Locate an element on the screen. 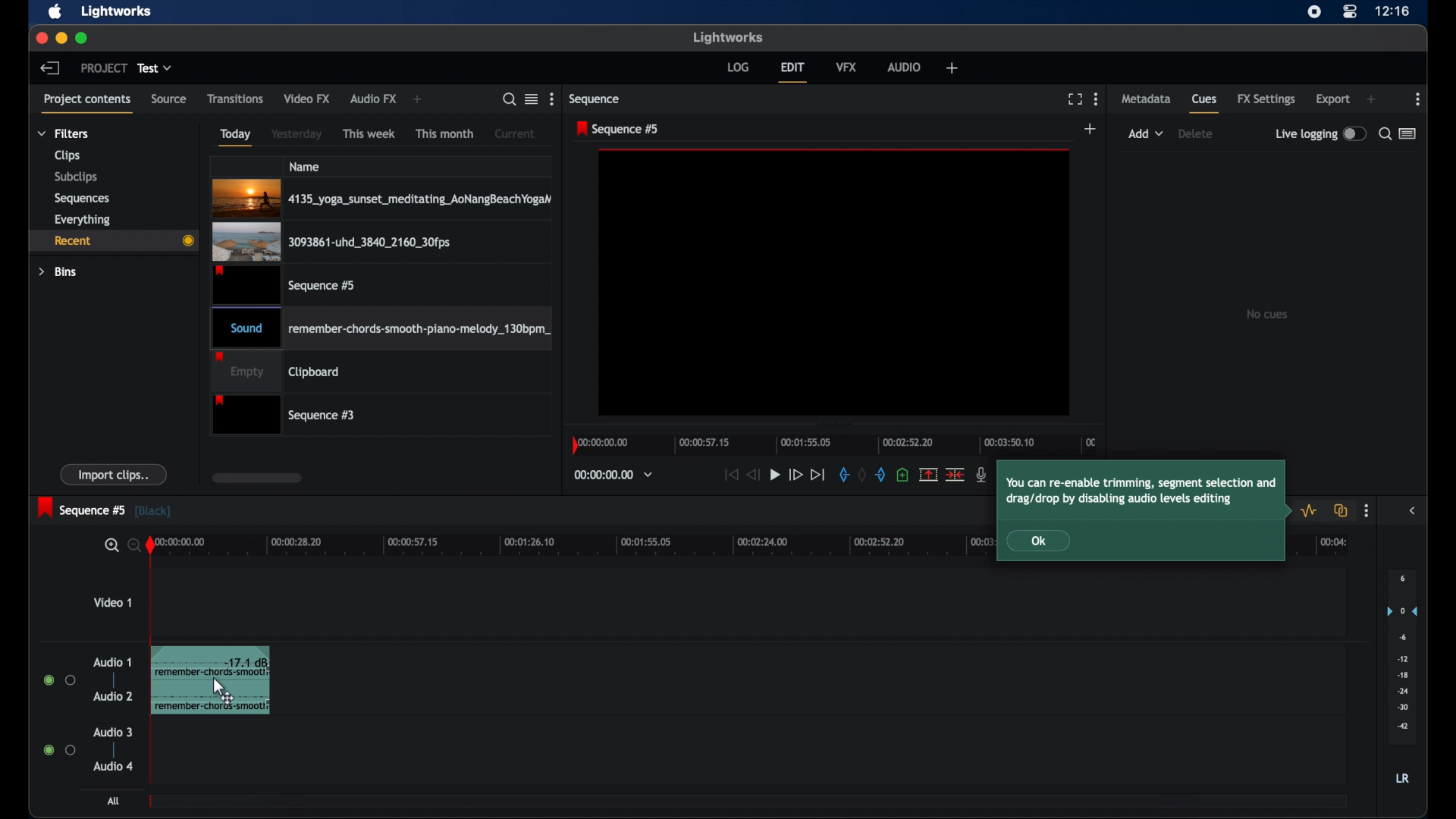  toggle list or tile view is located at coordinates (532, 98).